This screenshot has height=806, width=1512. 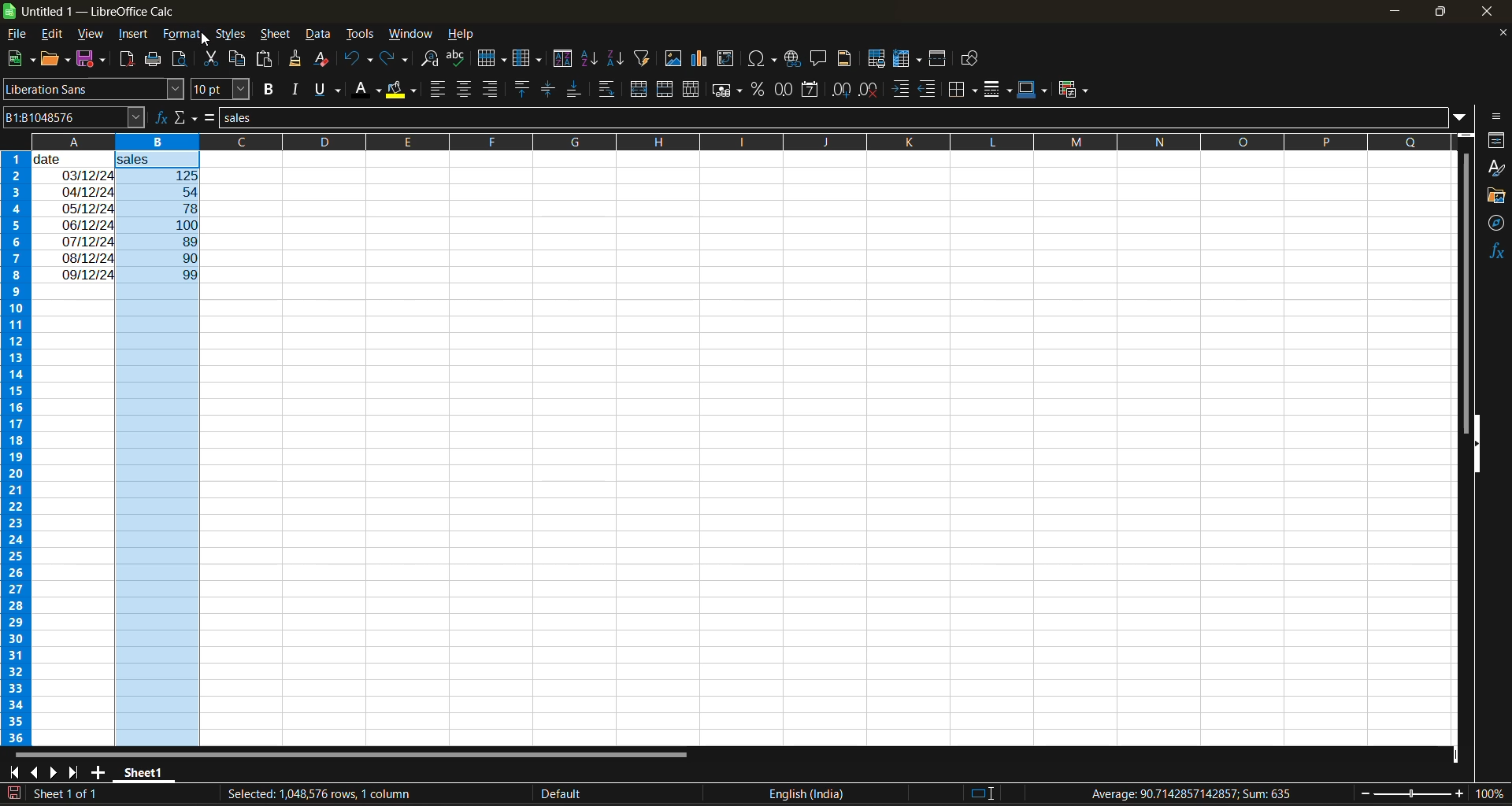 I want to click on format as percent, so click(x=759, y=90).